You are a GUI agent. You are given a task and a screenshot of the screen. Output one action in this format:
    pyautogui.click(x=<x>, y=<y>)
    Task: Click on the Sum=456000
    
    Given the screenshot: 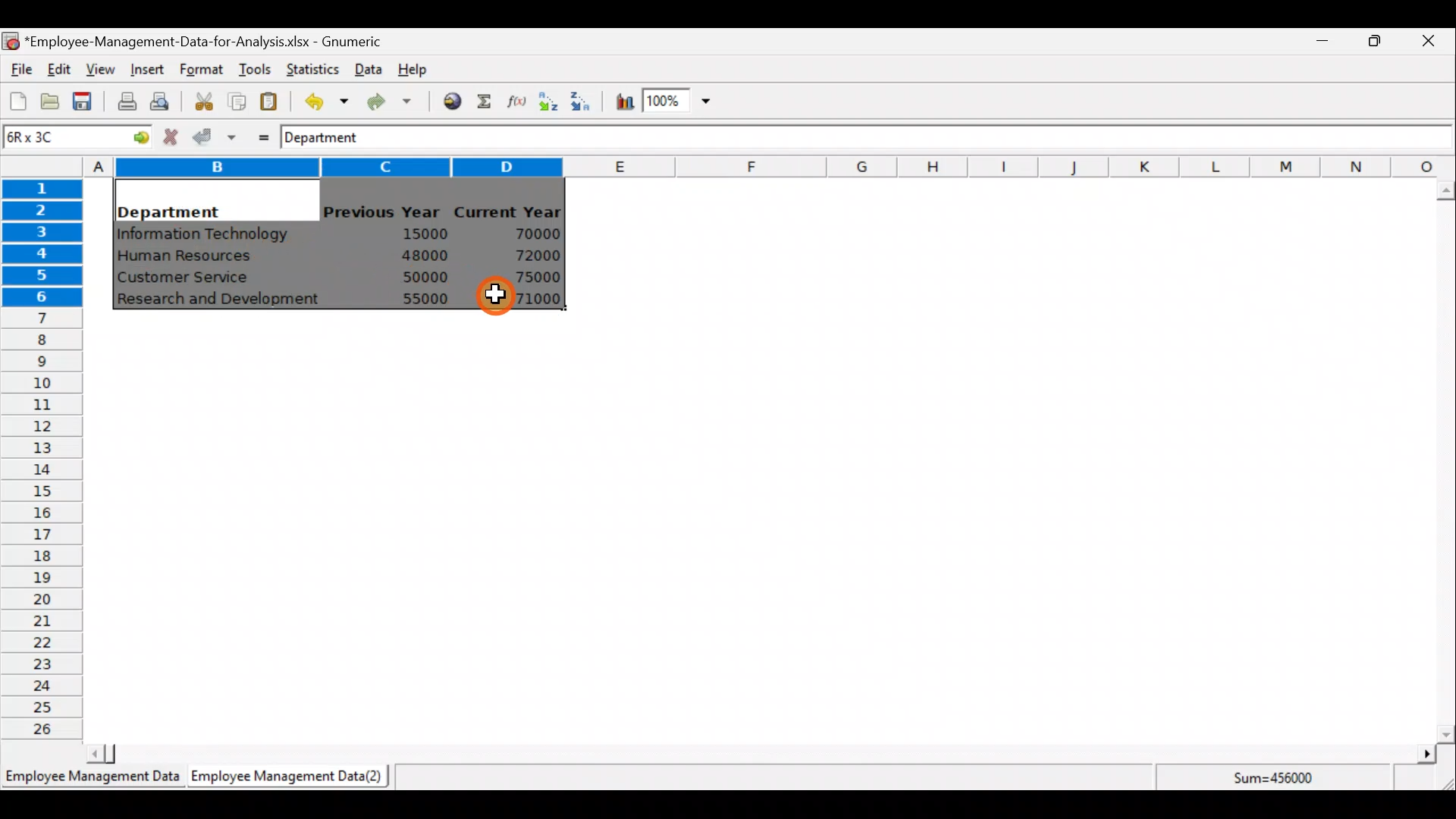 What is the action you would take?
    pyautogui.click(x=1282, y=780)
    